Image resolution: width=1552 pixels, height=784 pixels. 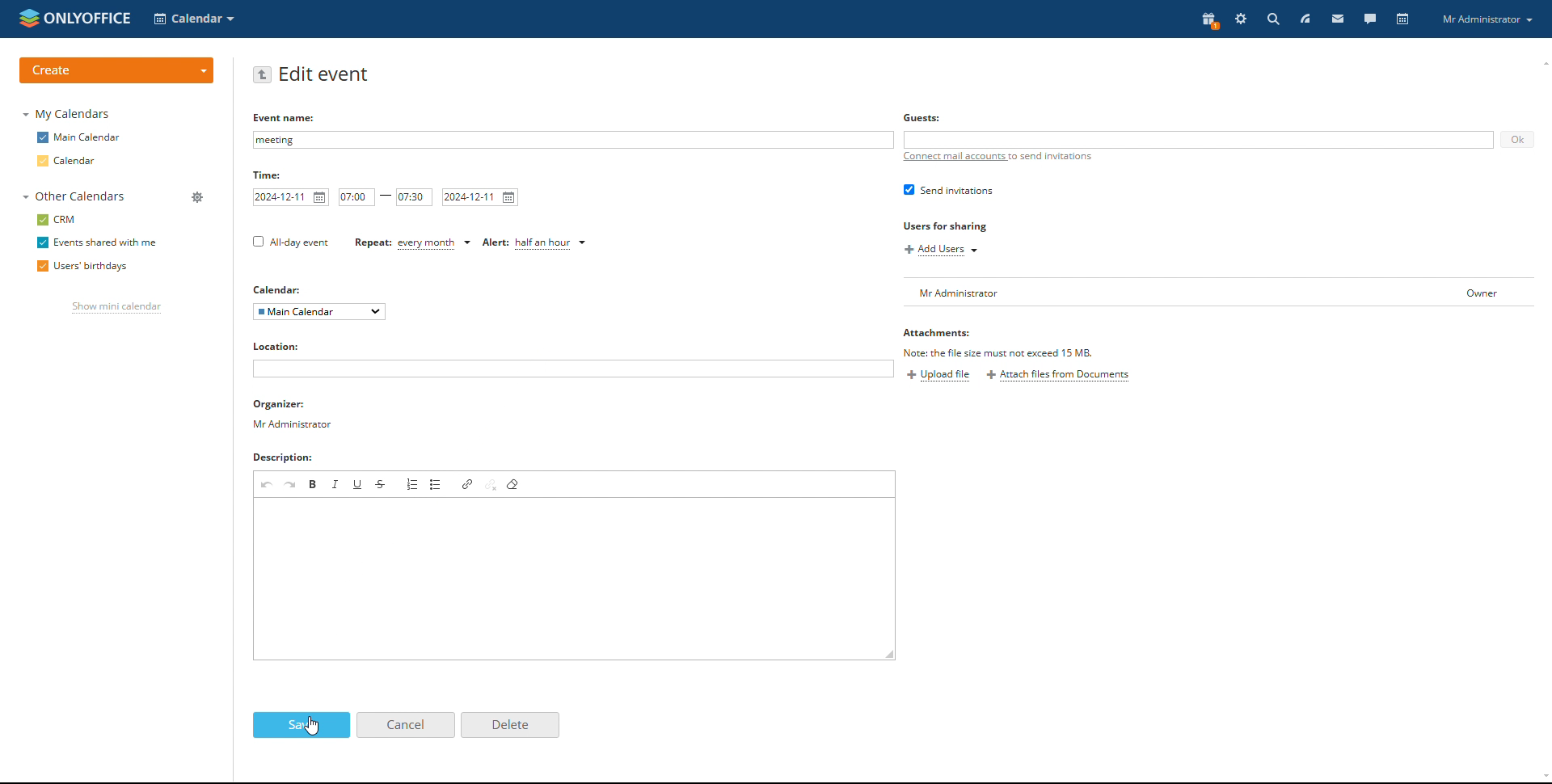 I want to click on Calendar:, so click(x=276, y=287).